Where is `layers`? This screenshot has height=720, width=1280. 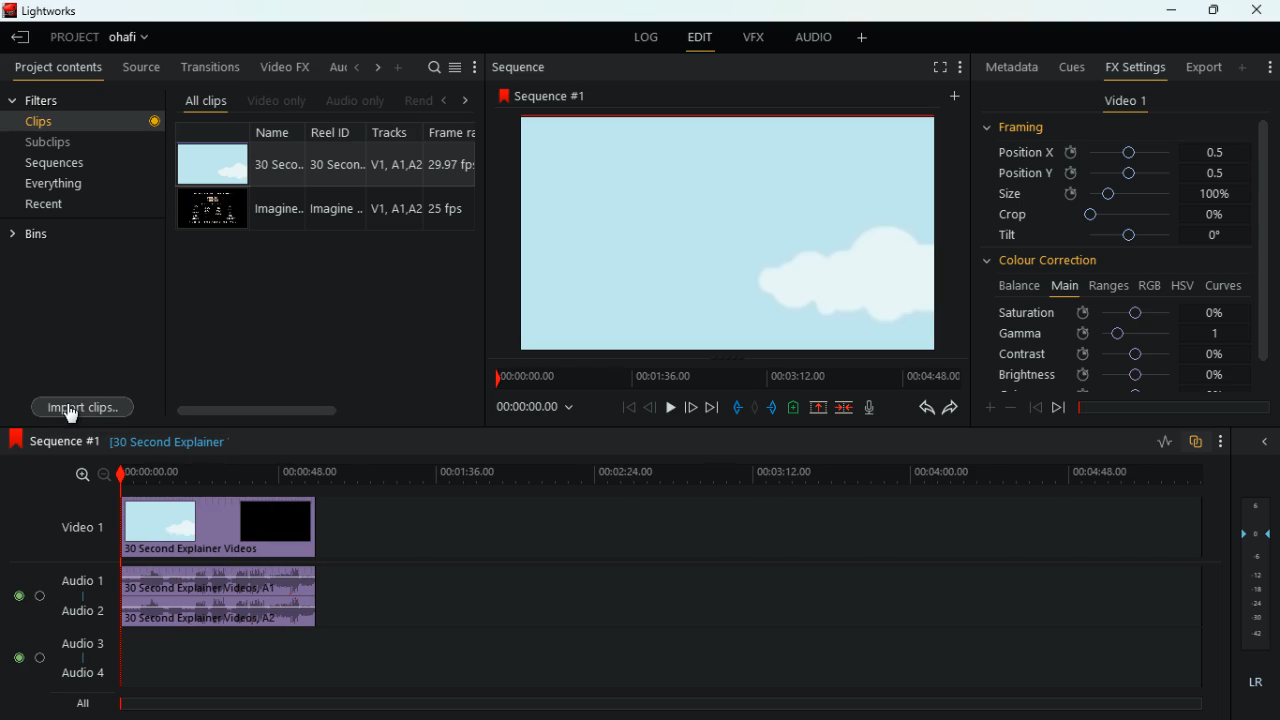
layers is located at coordinates (1253, 570).